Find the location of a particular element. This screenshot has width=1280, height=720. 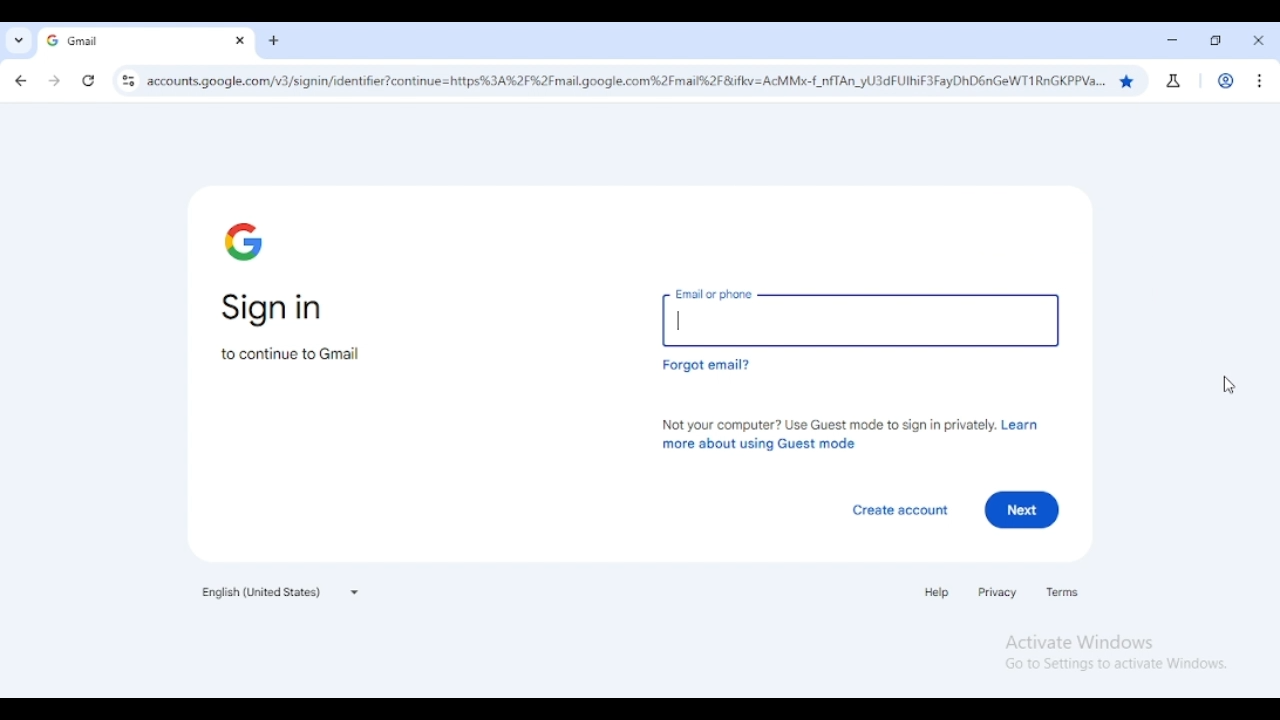

cursor is located at coordinates (1229, 386).